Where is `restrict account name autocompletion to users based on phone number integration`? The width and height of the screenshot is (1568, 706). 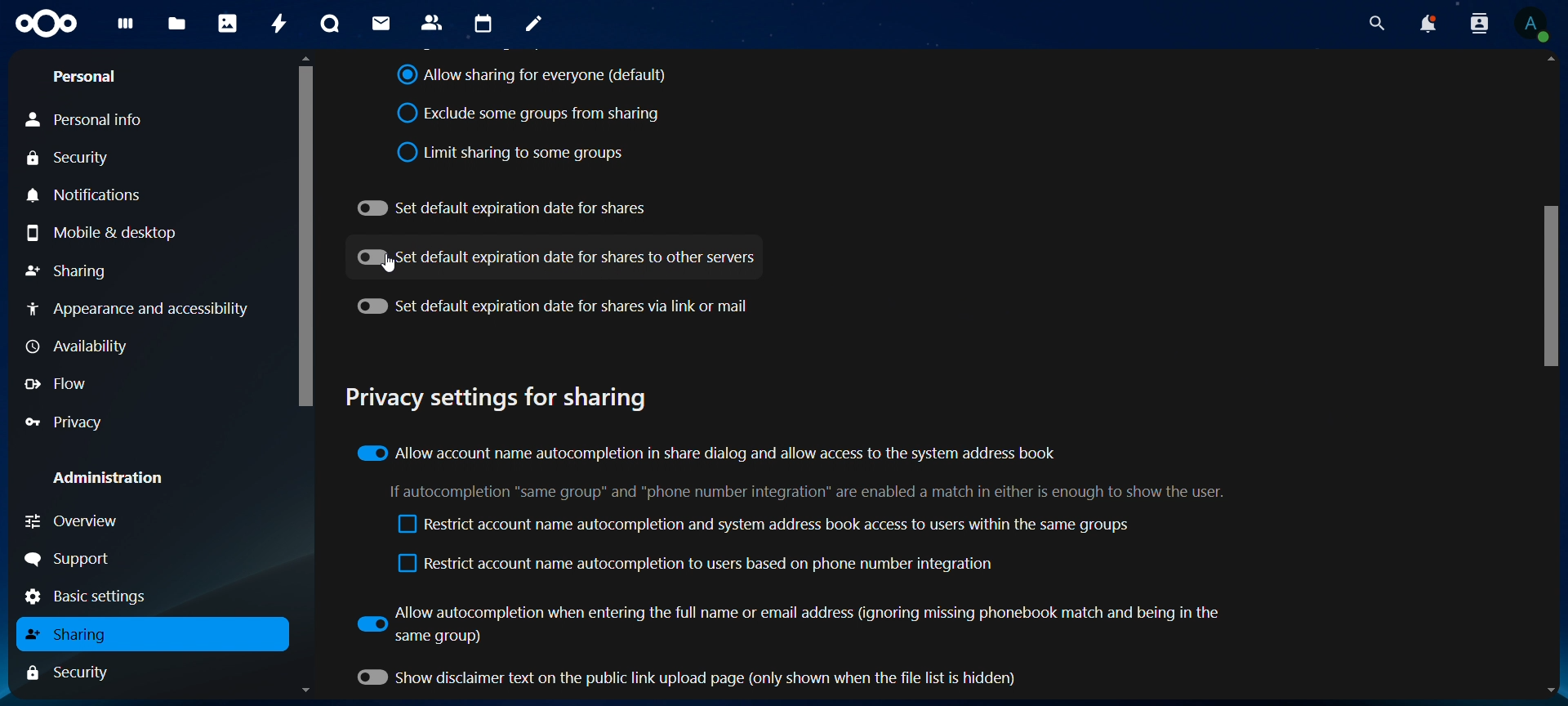
restrict account name autocompletion to users based on phone number integration is located at coordinates (700, 565).